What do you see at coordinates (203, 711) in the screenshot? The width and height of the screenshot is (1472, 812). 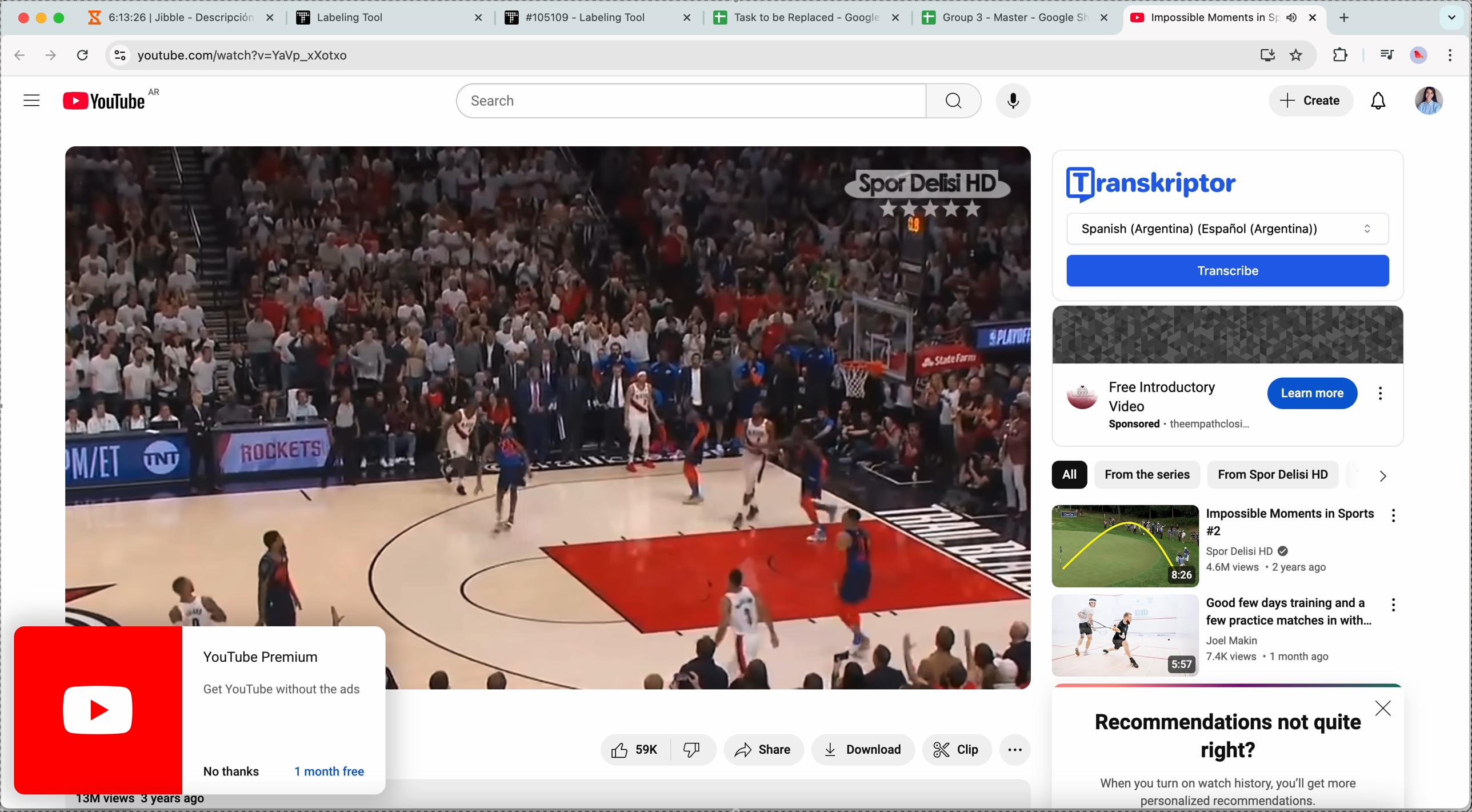 I see `notification` at bounding box center [203, 711].